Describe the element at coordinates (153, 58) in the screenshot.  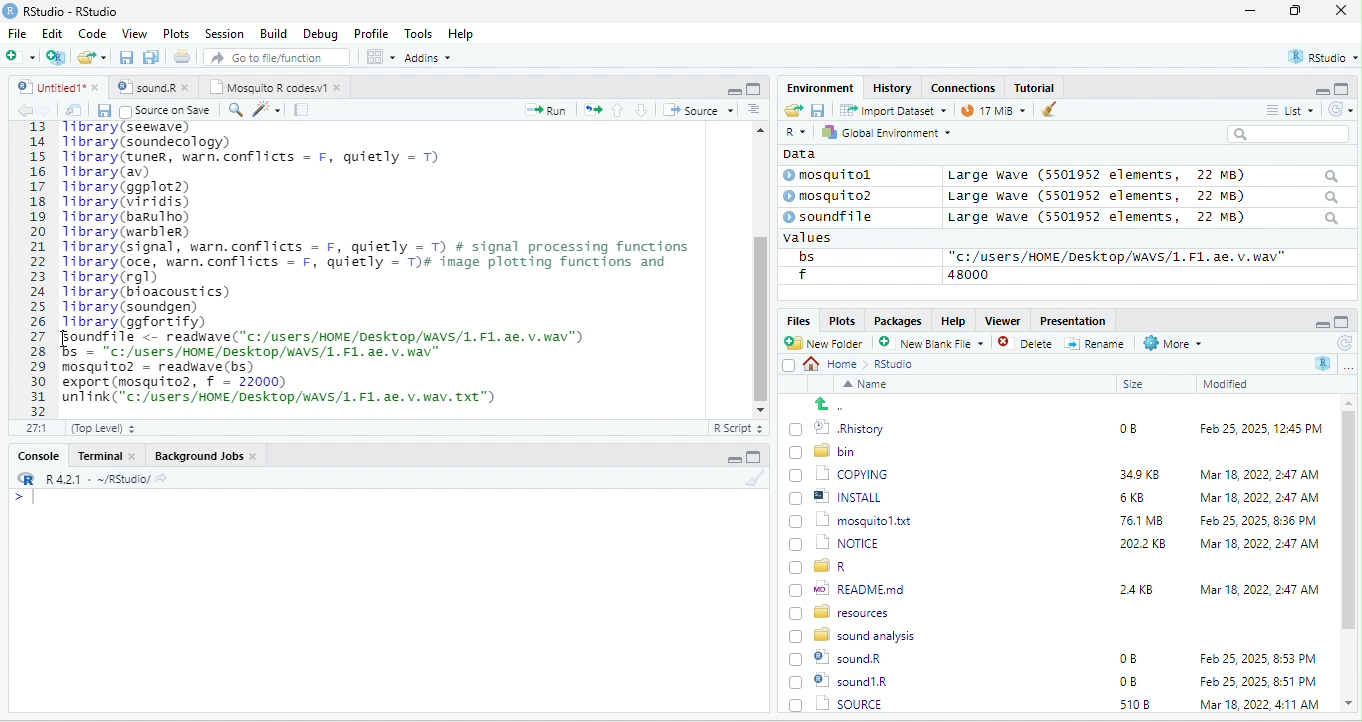
I see `save as` at that location.